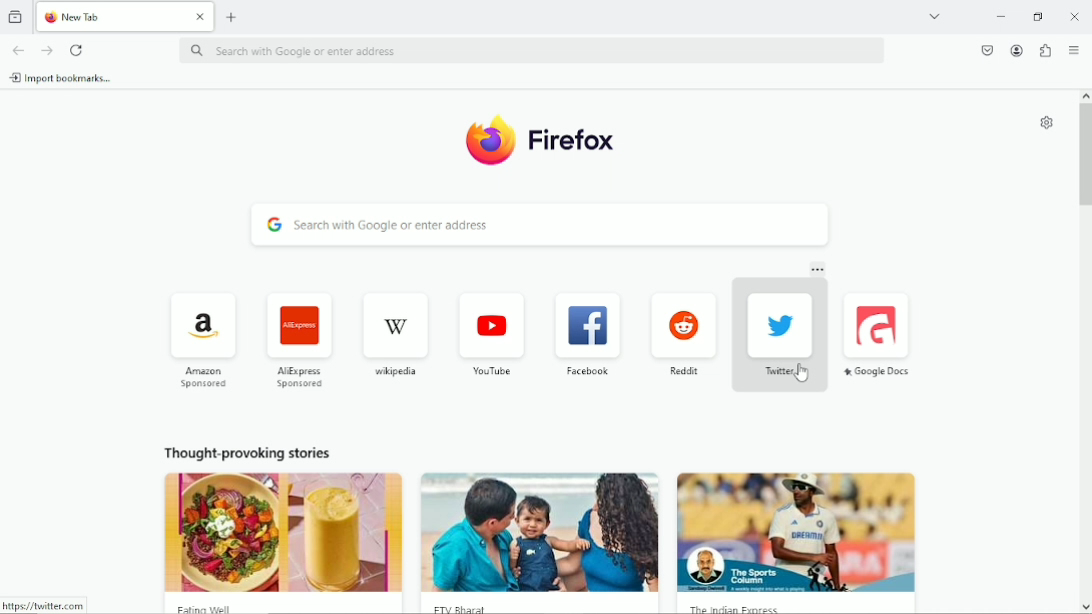  What do you see at coordinates (682, 334) in the screenshot?
I see `reddit` at bounding box center [682, 334].